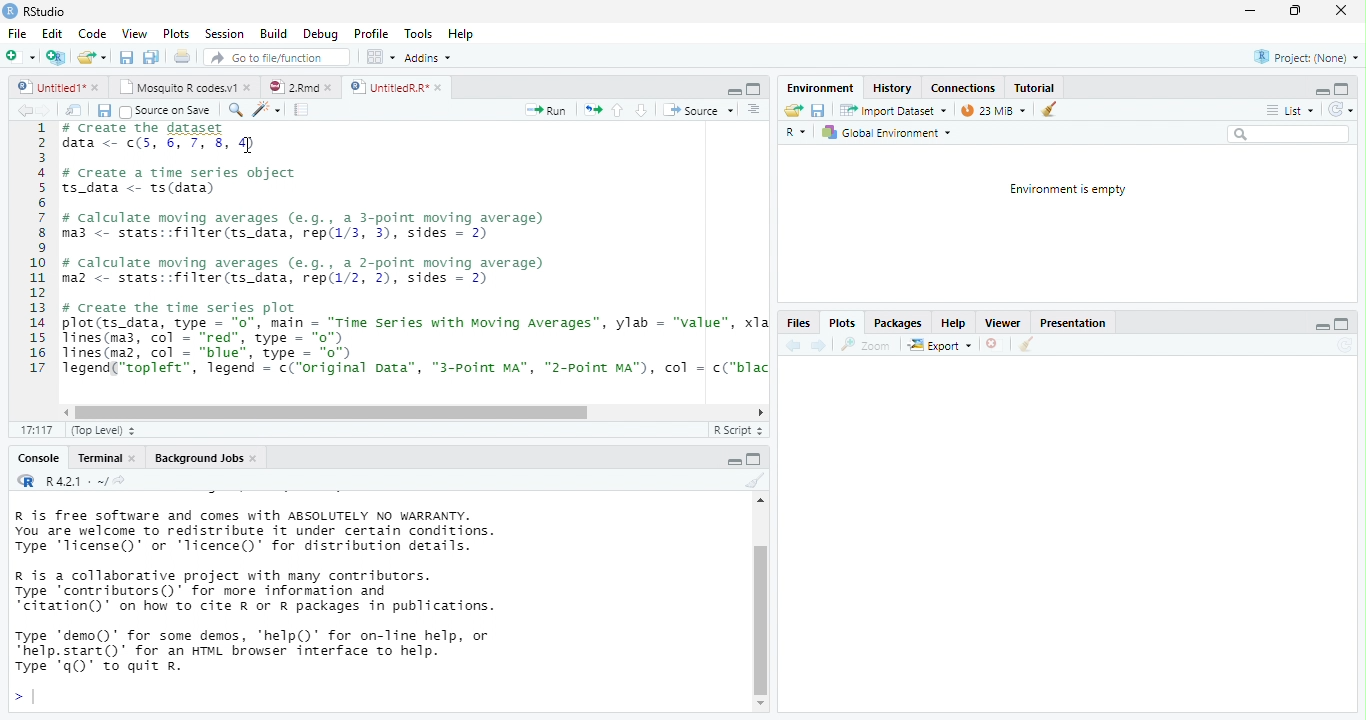 The height and width of the screenshot is (720, 1366). What do you see at coordinates (1340, 11) in the screenshot?
I see `close` at bounding box center [1340, 11].